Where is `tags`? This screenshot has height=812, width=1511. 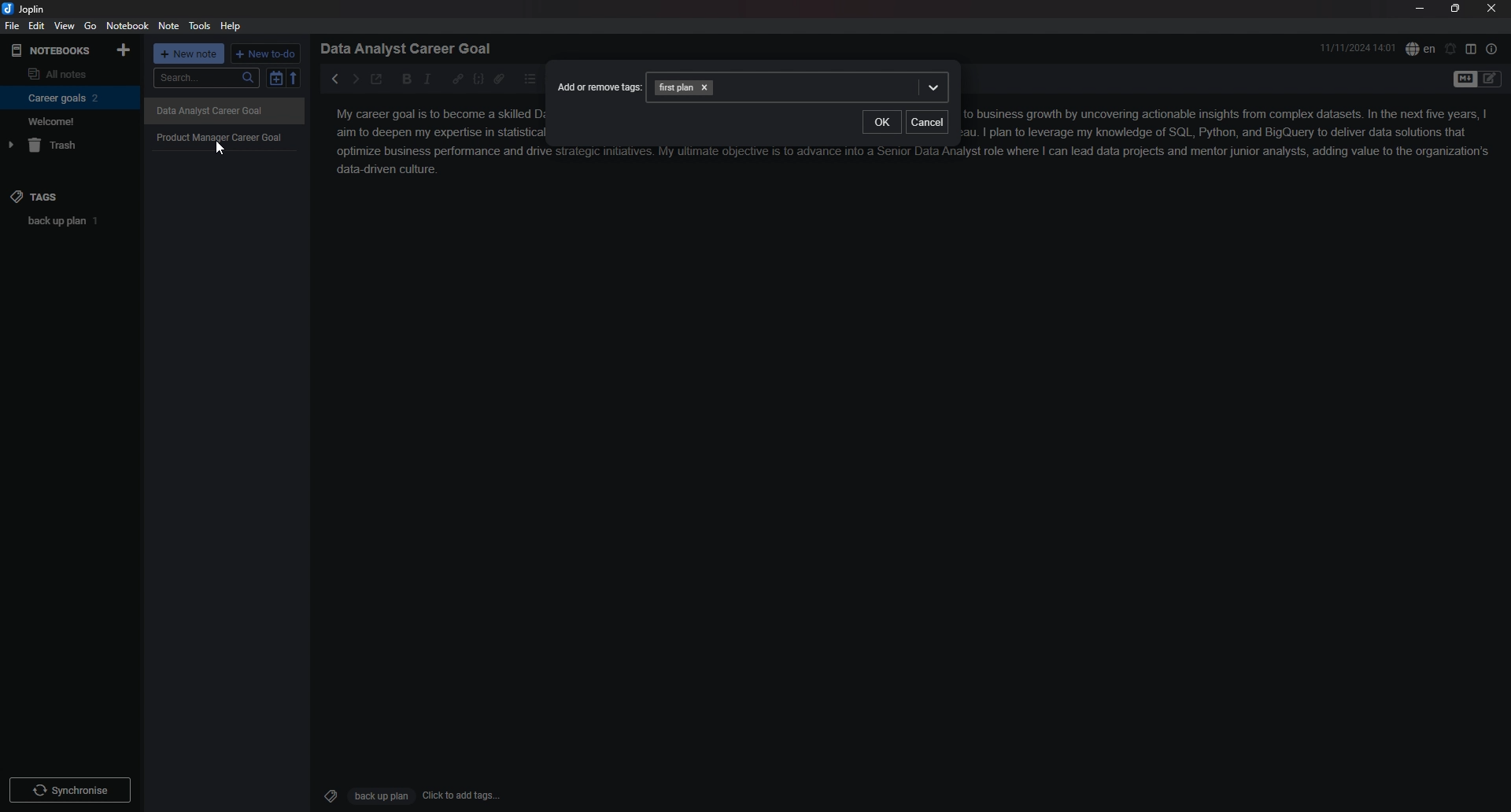 tags is located at coordinates (69, 197).